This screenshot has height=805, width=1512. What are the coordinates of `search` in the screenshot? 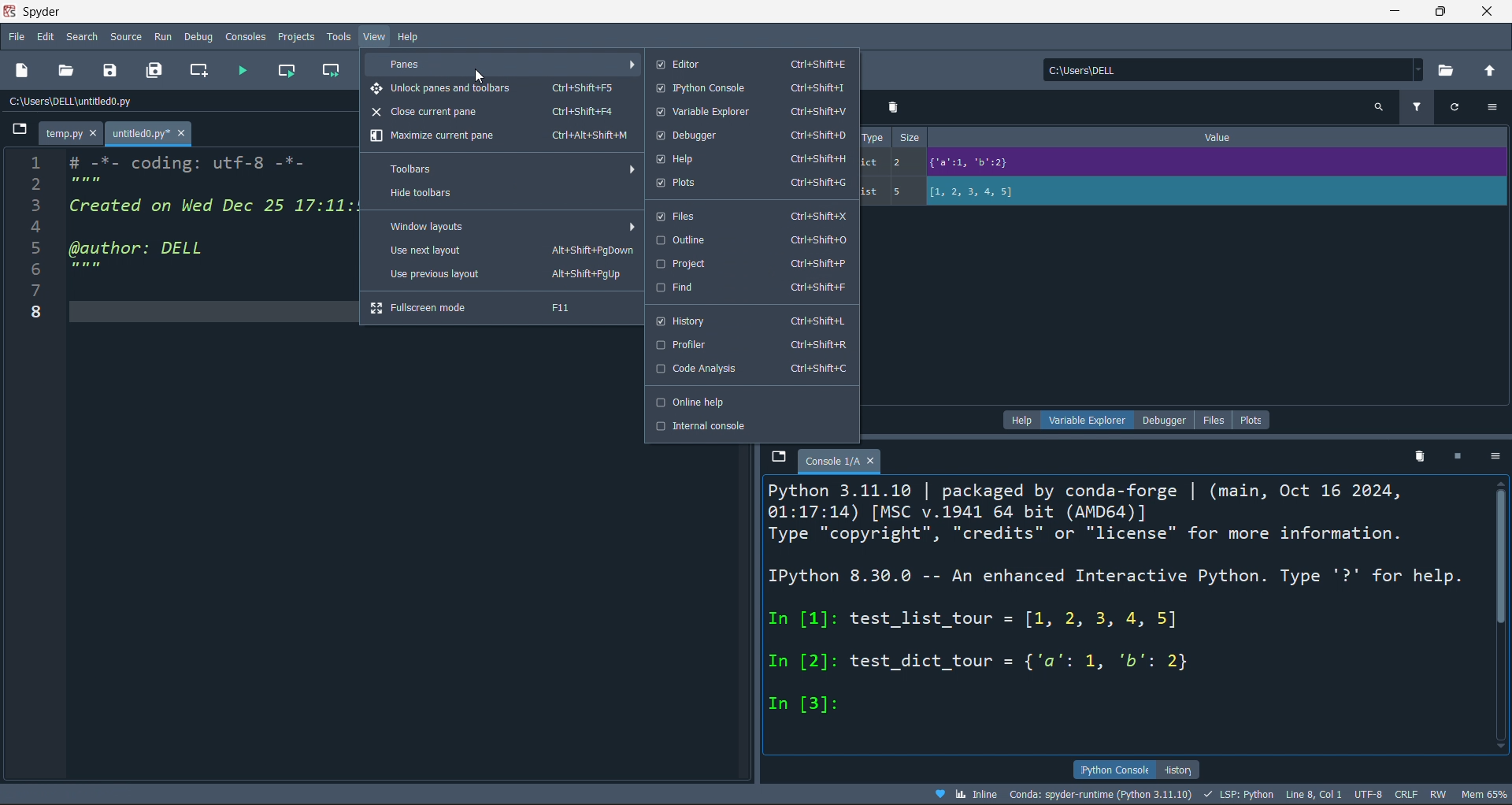 It's located at (1377, 106).